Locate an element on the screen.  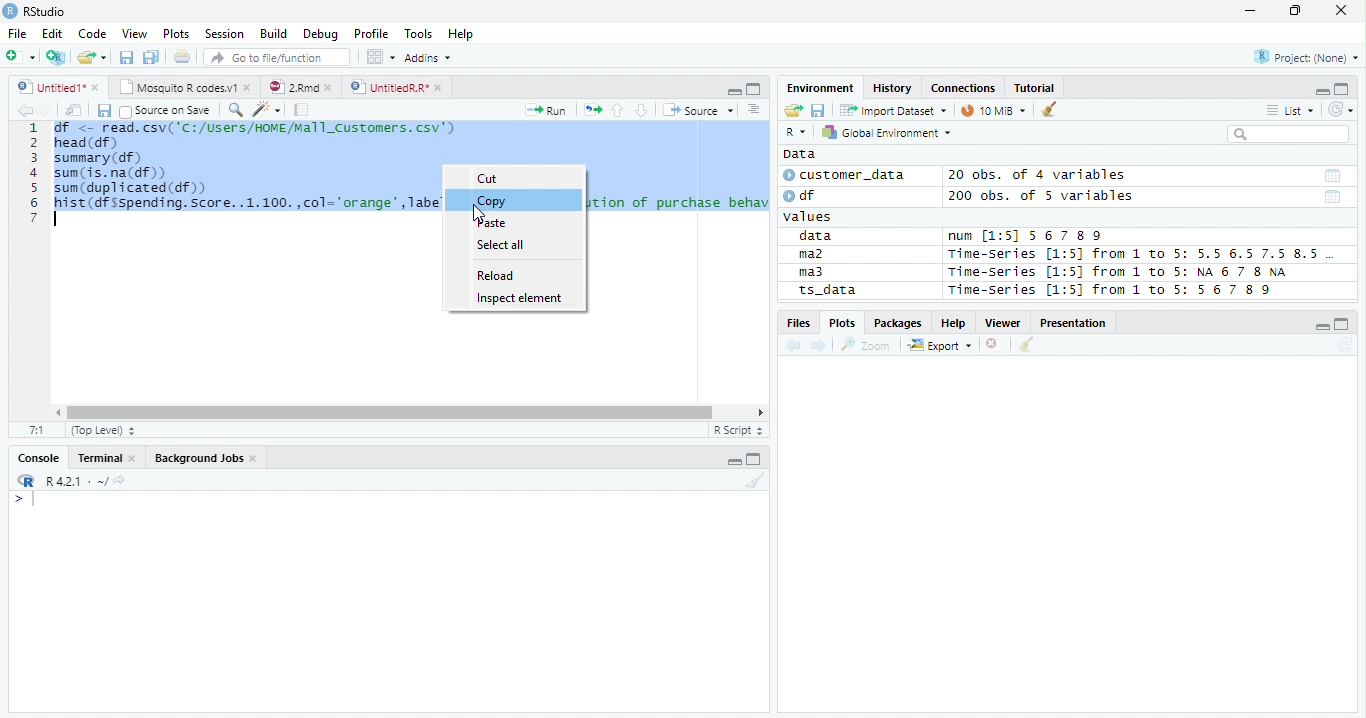
Row Number is located at coordinates (33, 172).